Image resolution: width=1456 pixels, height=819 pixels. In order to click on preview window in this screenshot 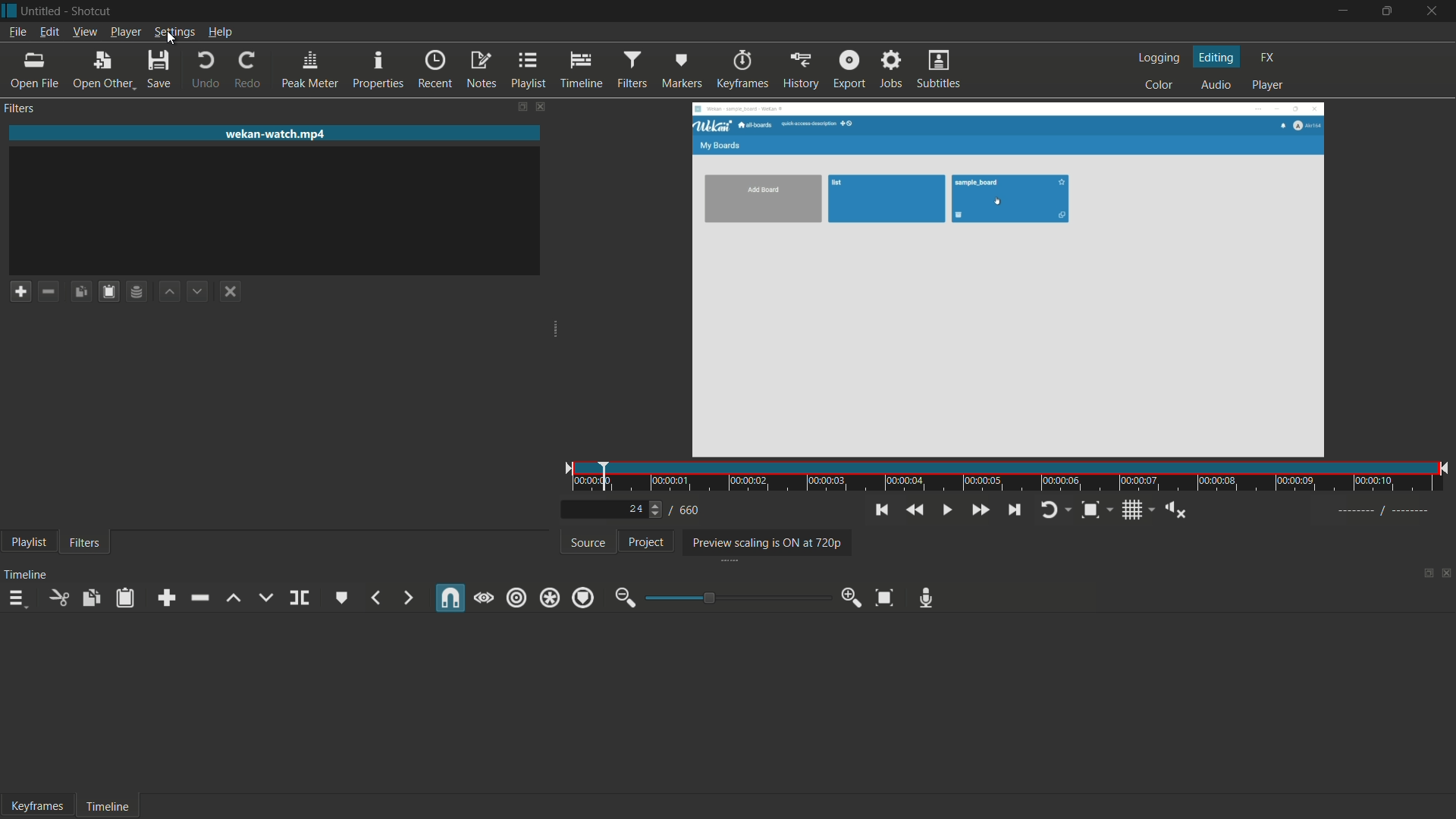, I will do `click(1007, 281)`.